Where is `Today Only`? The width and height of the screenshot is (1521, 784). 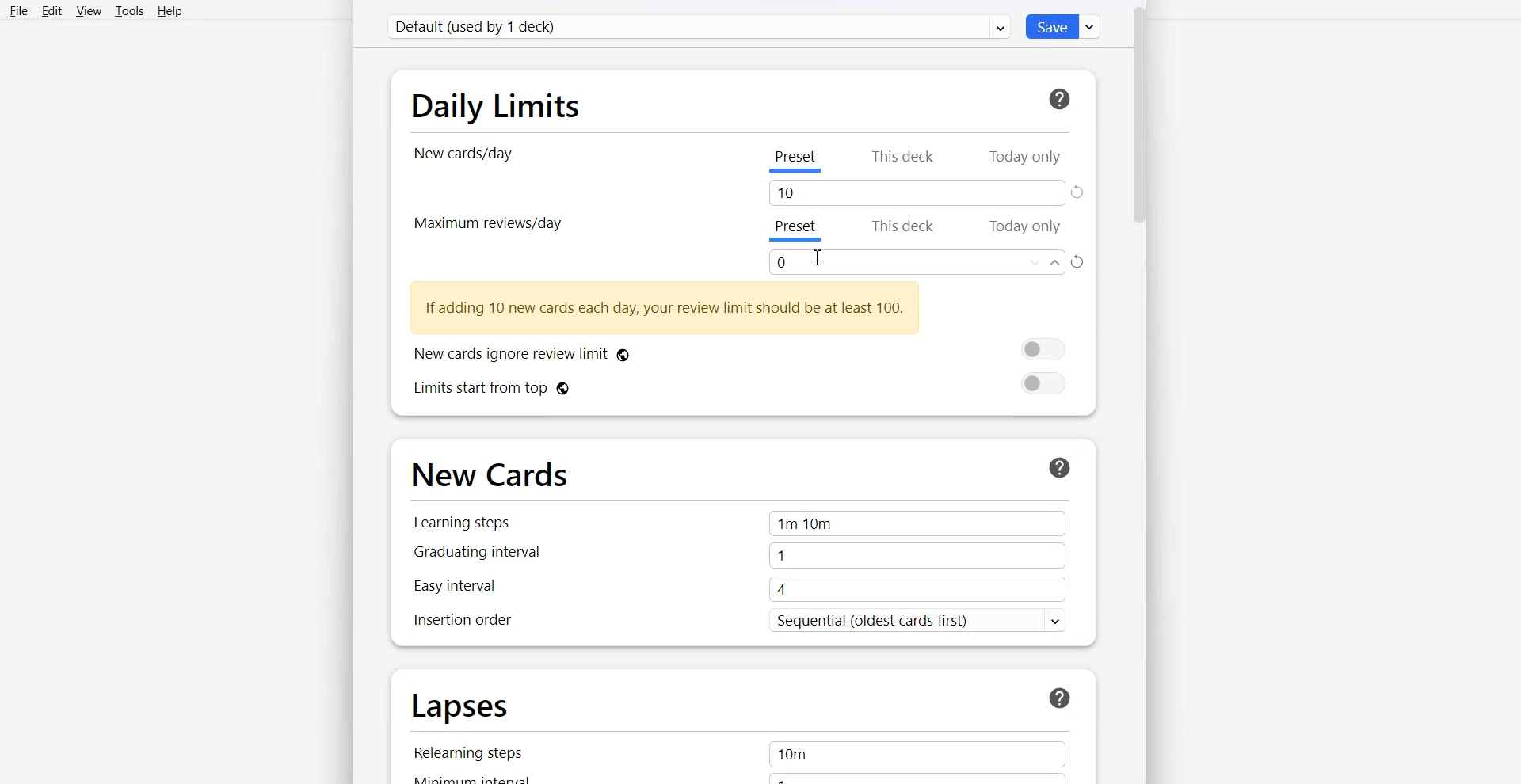 Today Only is located at coordinates (1024, 158).